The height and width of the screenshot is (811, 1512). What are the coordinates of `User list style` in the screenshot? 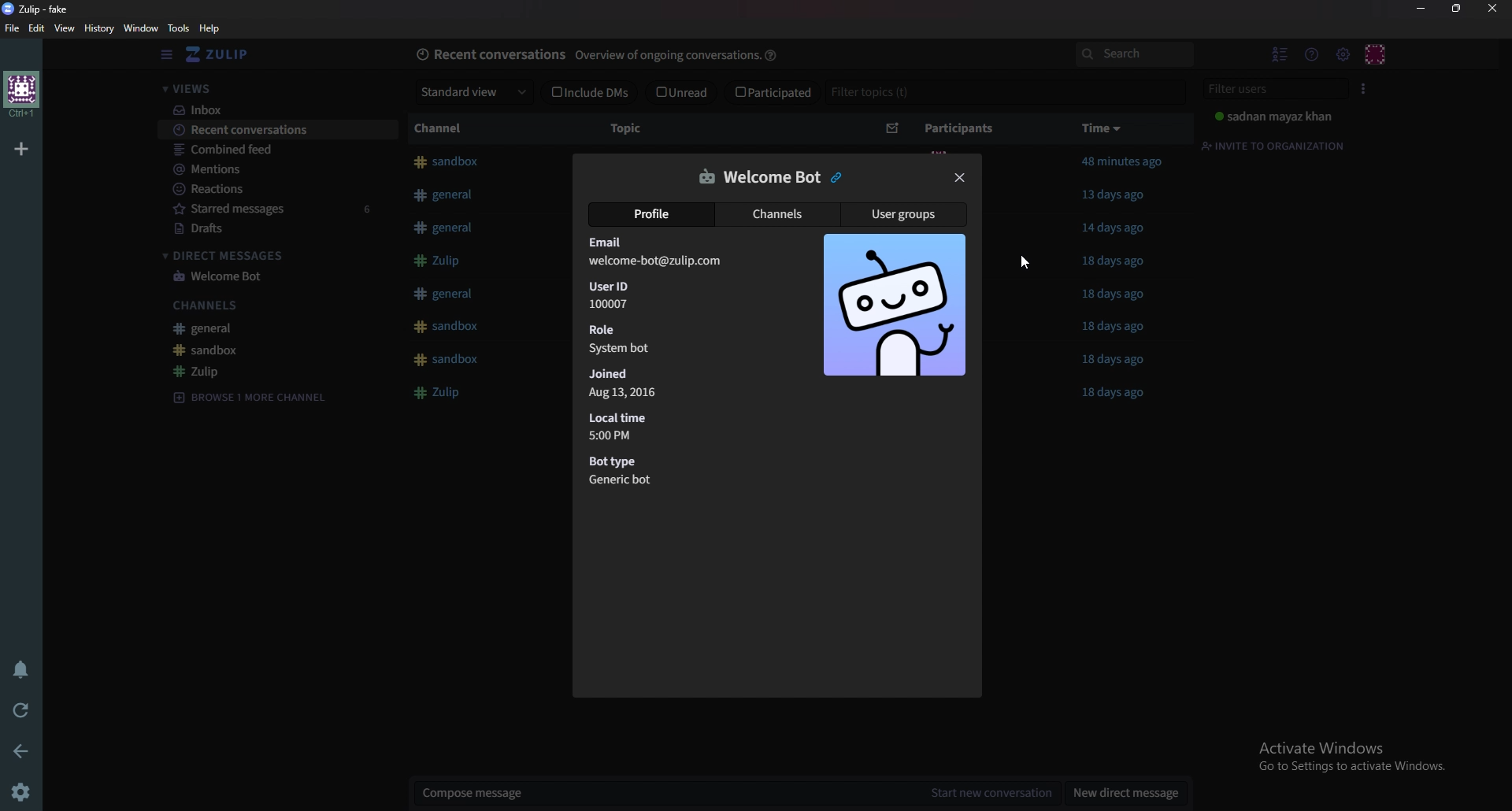 It's located at (1364, 89).